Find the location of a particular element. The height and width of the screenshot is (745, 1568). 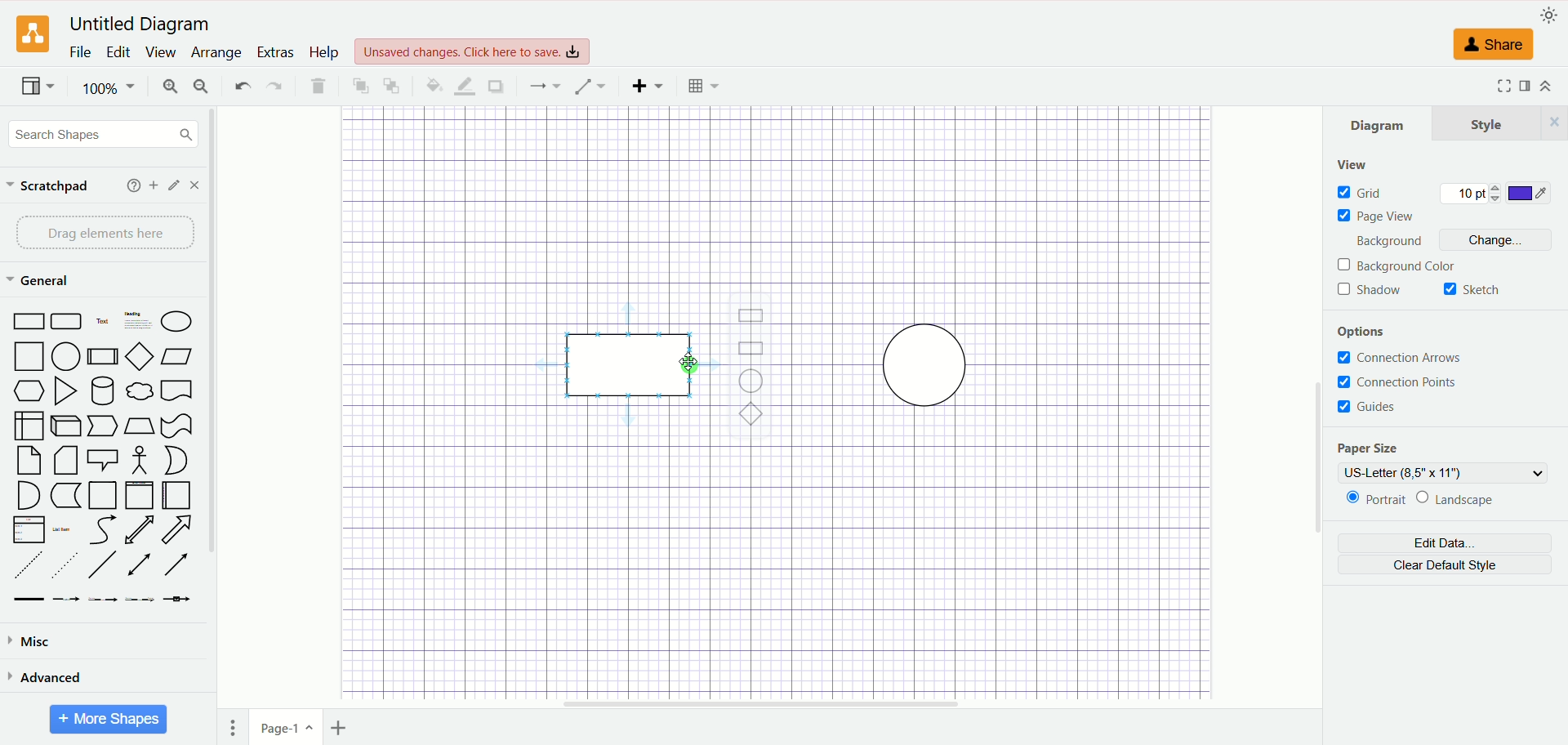

Arrow is located at coordinates (182, 530).